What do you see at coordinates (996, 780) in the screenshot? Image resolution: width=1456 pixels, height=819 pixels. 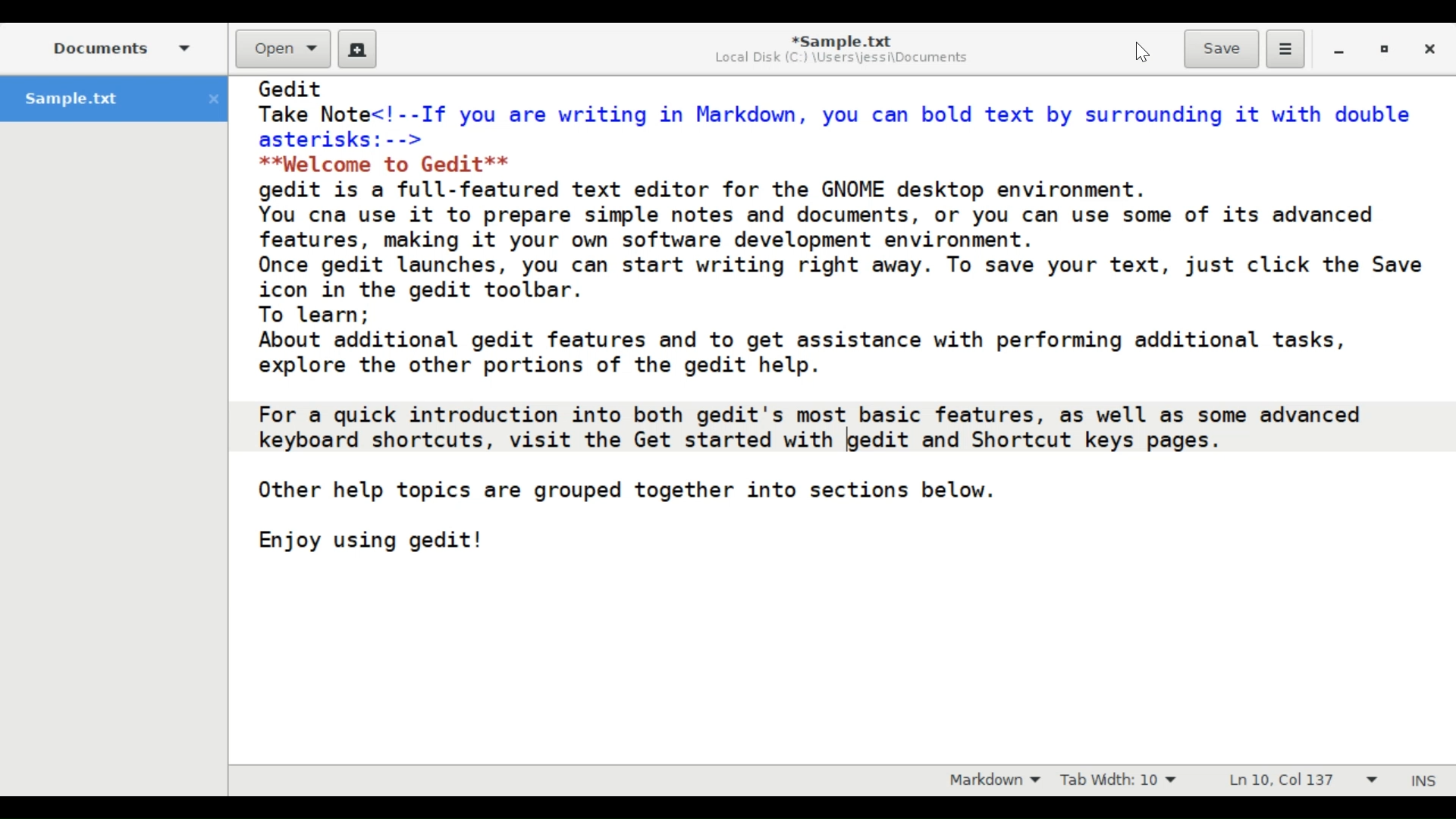 I see `Markdown` at bounding box center [996, 780].